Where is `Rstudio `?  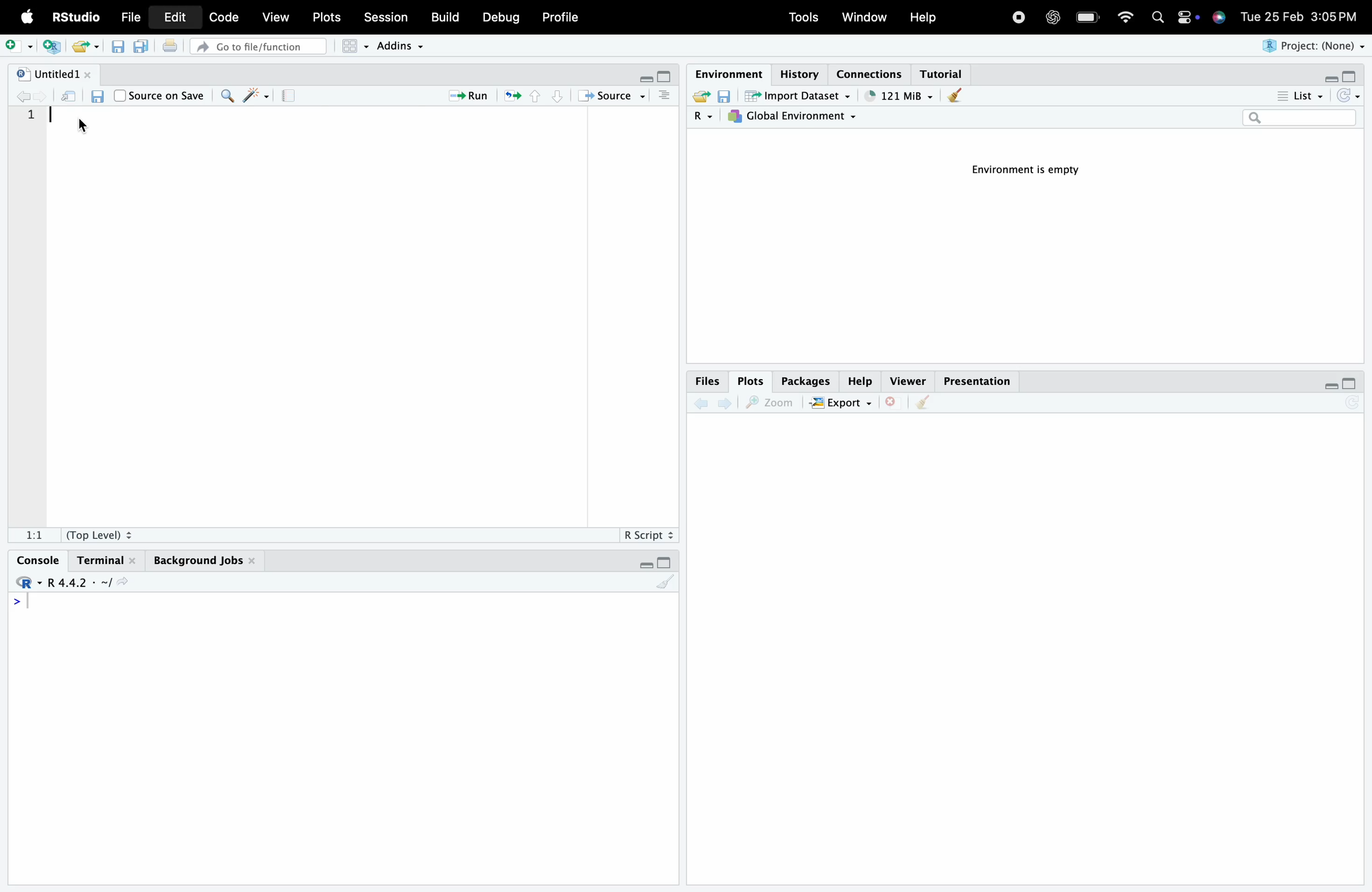
Rstudio  is located at coordinates (28, 582).